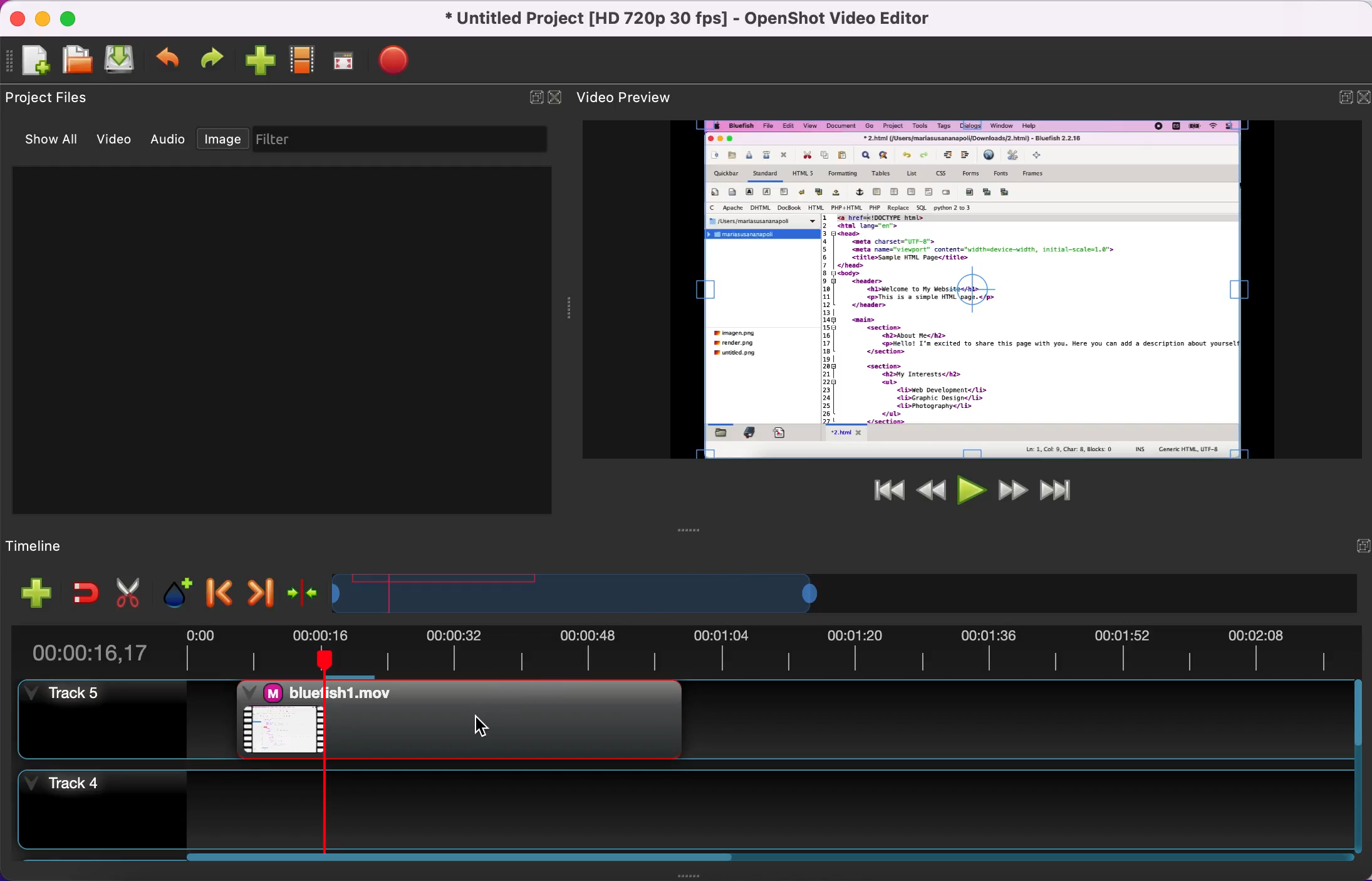 The image size is (1372, 881). I want to click on choose profile, so click(304, 60).